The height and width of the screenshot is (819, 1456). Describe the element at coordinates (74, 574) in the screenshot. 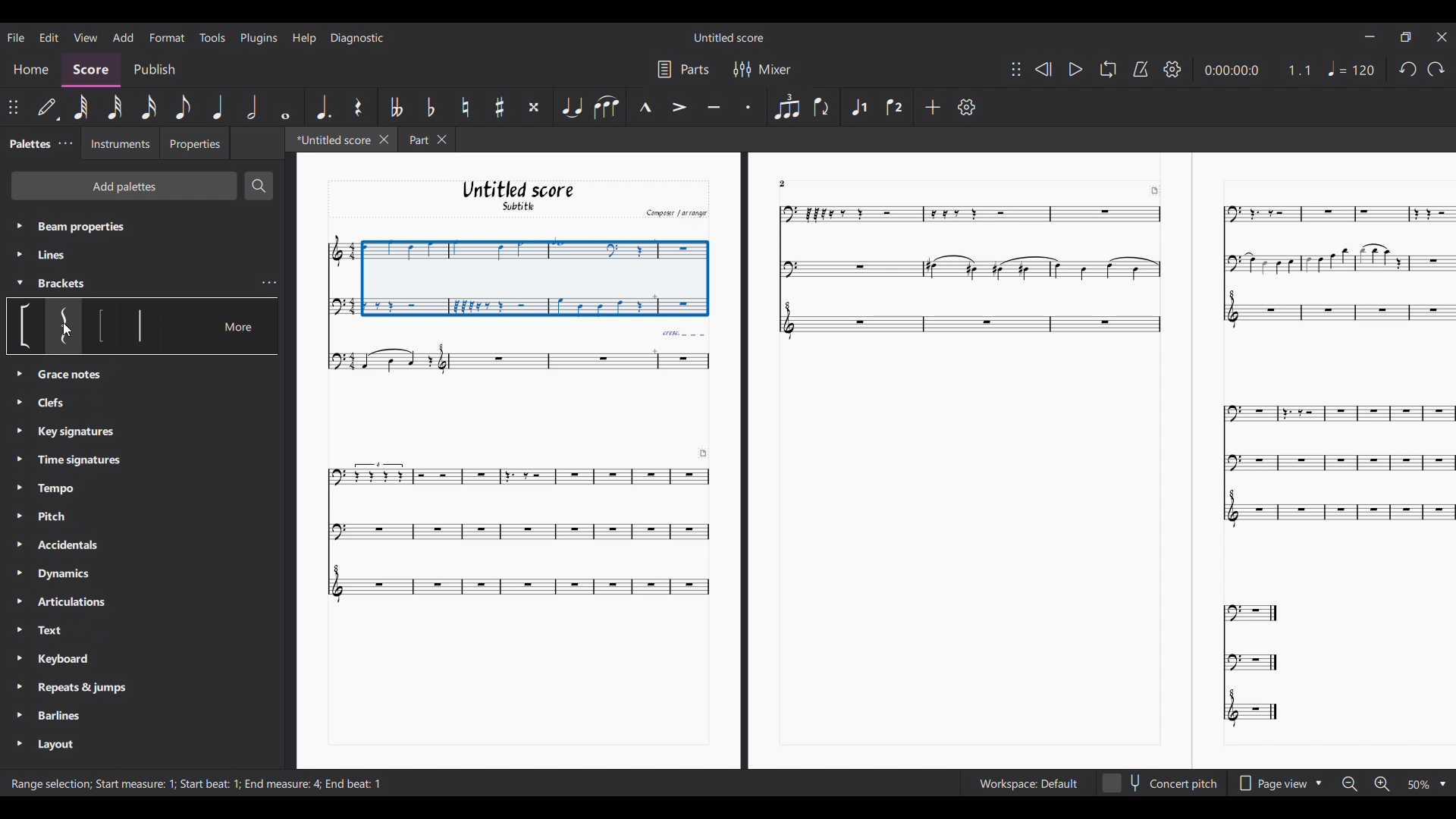

I see `Dynamics` at that location.